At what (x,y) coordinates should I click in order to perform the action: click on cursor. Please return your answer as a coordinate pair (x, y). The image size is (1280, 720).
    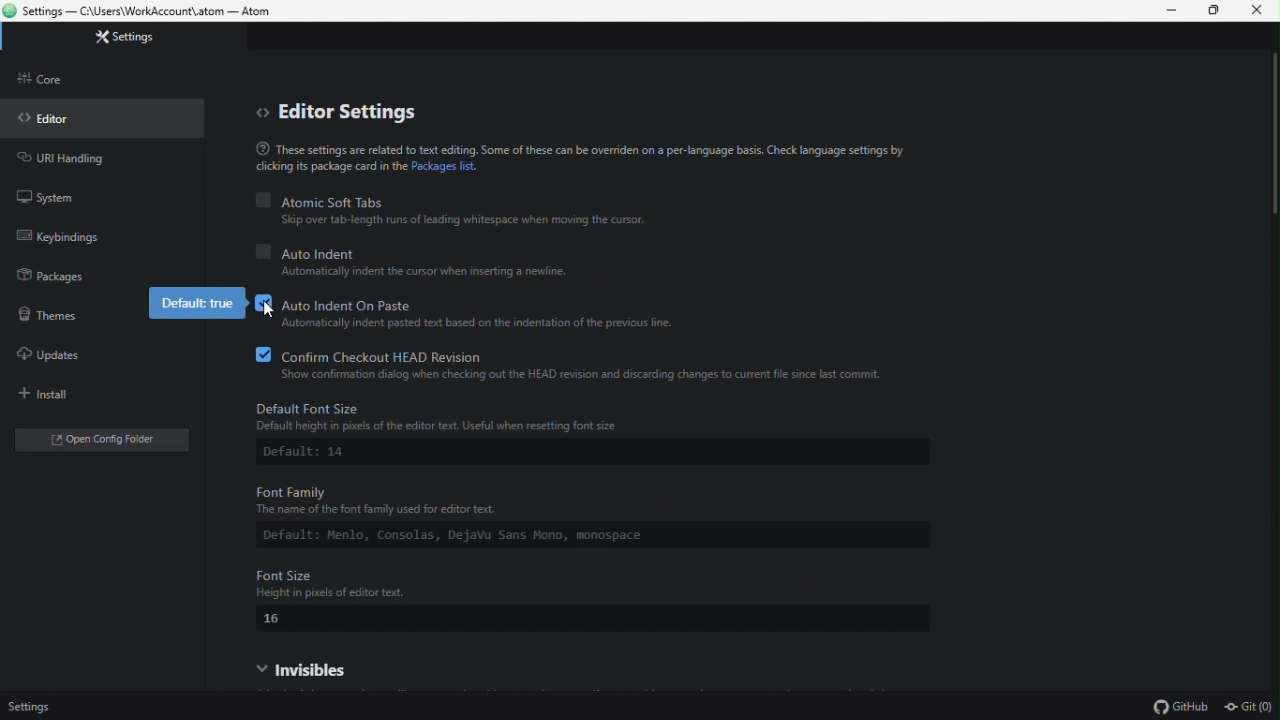
    Looking at the image, I should click on (271, 311).